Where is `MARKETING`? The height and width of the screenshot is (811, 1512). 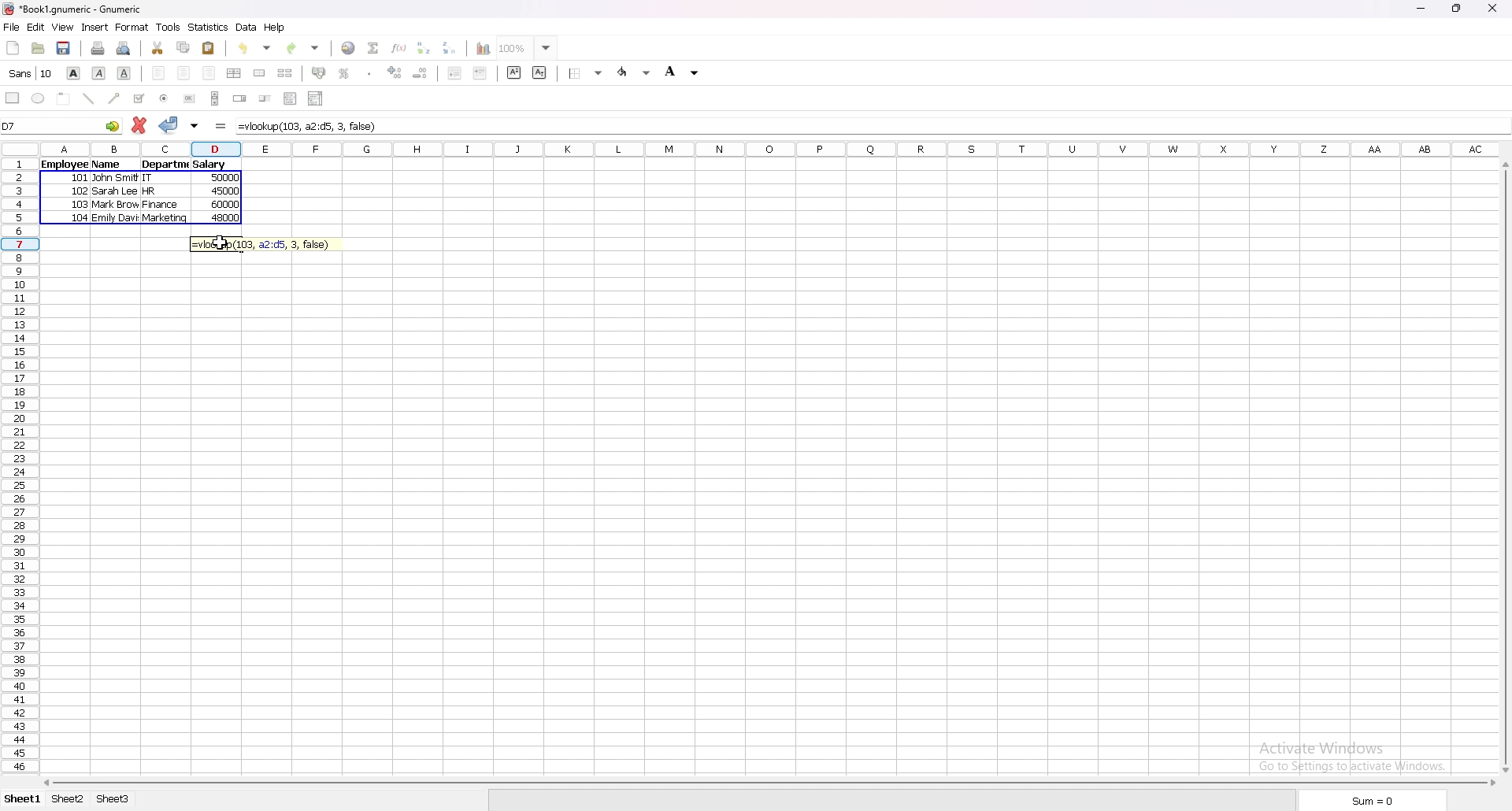 MARKETING is located at coordinates (166, 219).